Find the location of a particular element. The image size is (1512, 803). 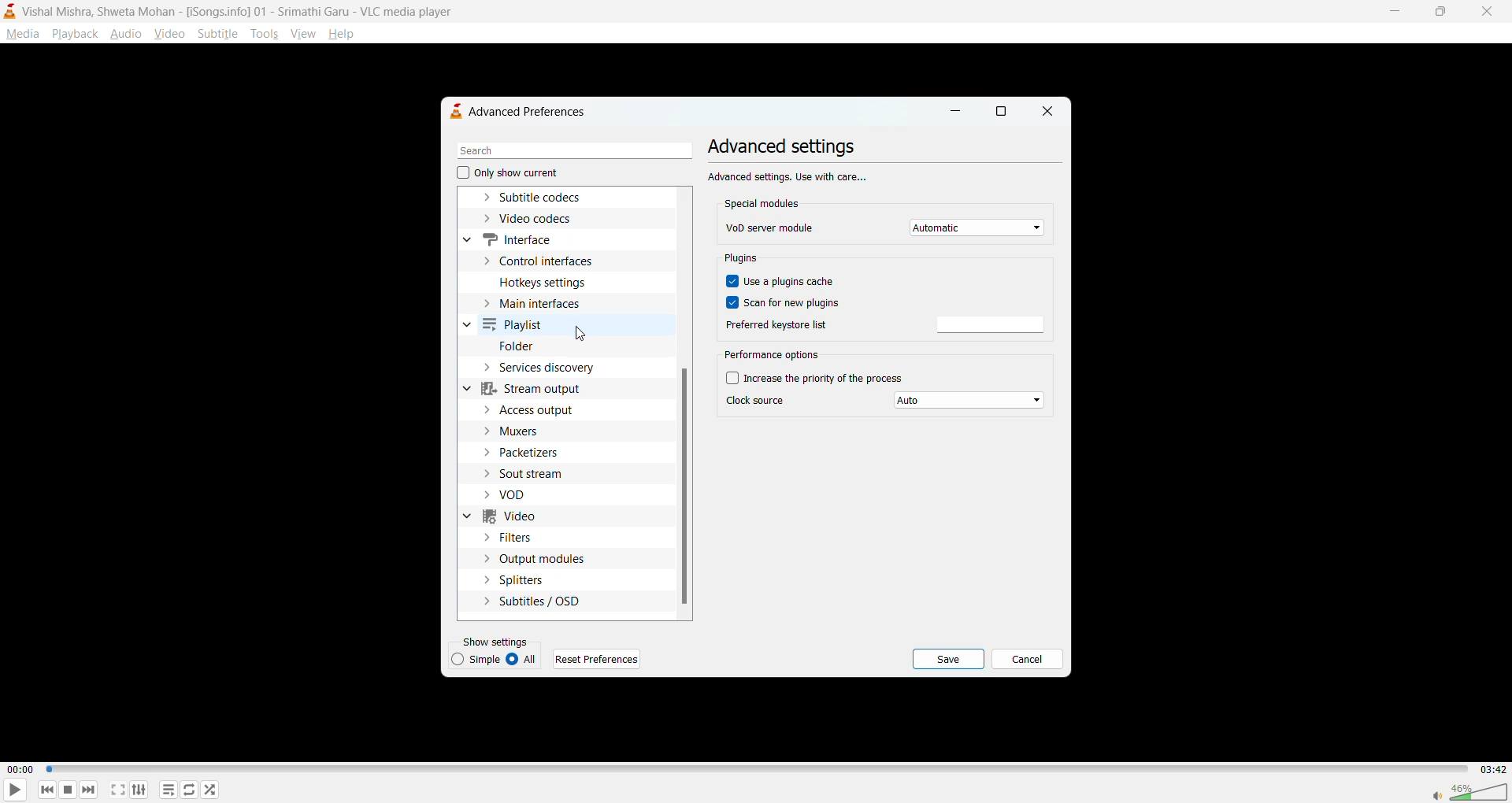

close is located at coordinates (1045, 112).